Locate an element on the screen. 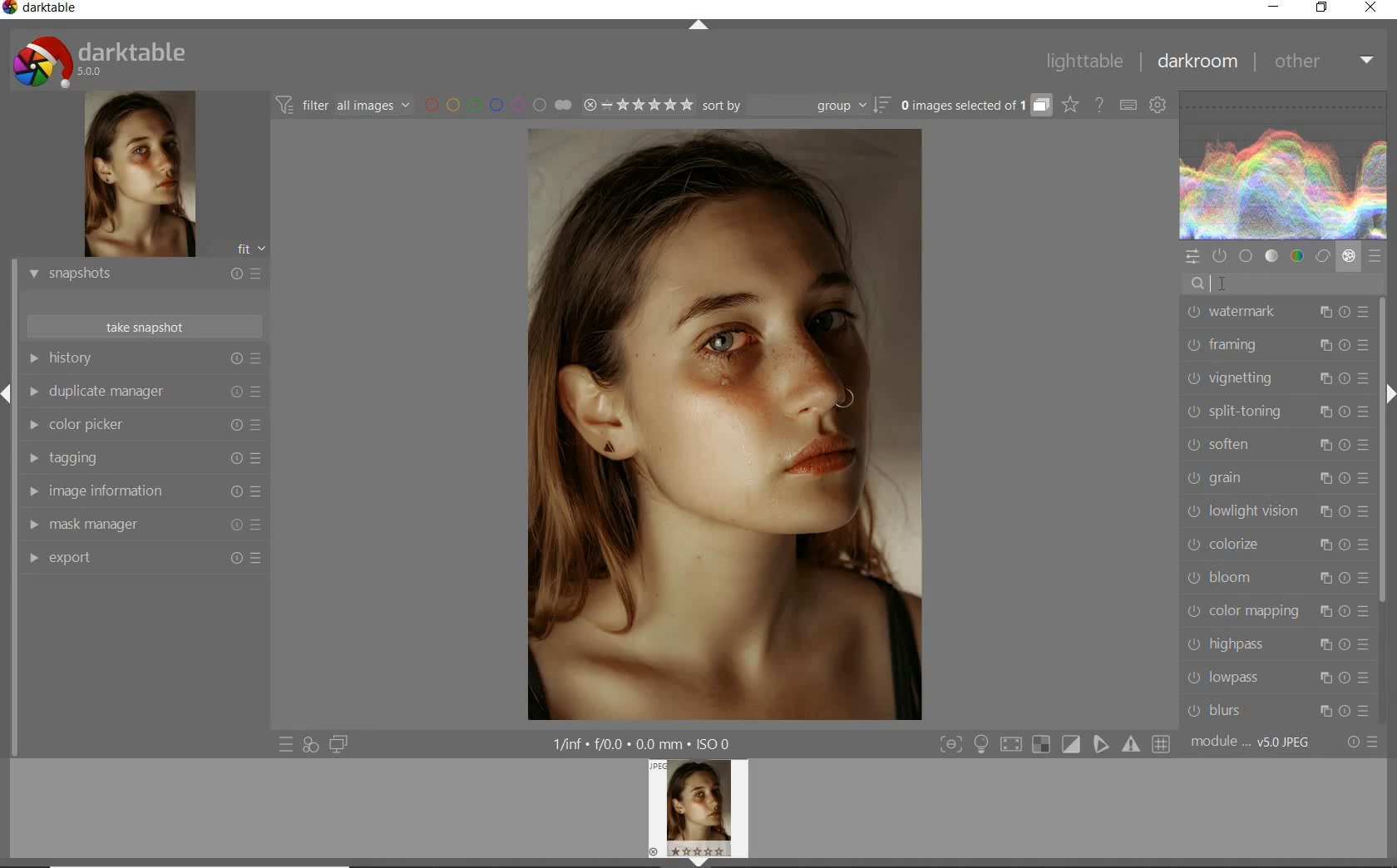 Image resolution: width=1397 pixels, height=868 pixels. lighttable is located at coordinates (1088, 60).